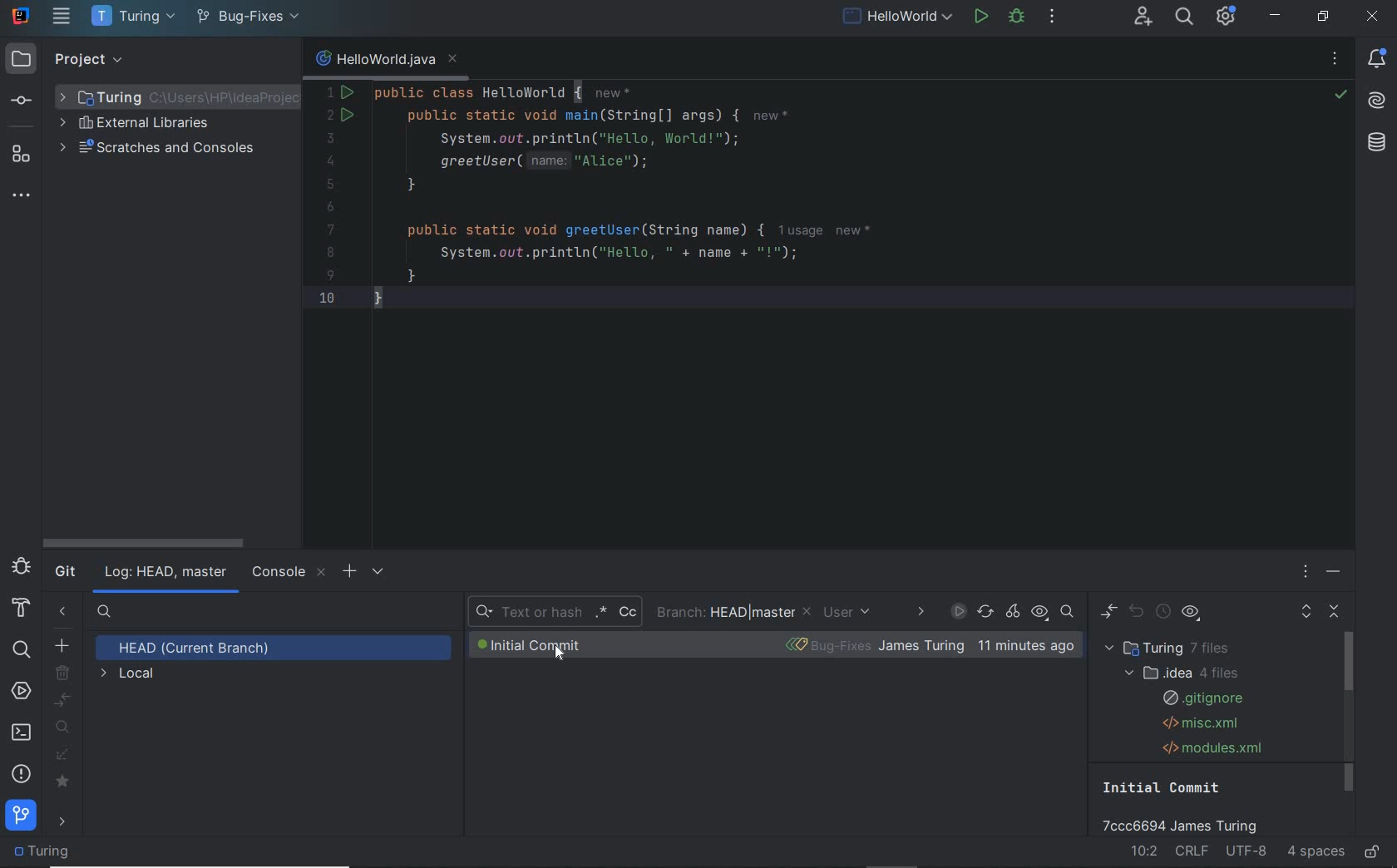  I want to click on collapse, so click(227, 61).